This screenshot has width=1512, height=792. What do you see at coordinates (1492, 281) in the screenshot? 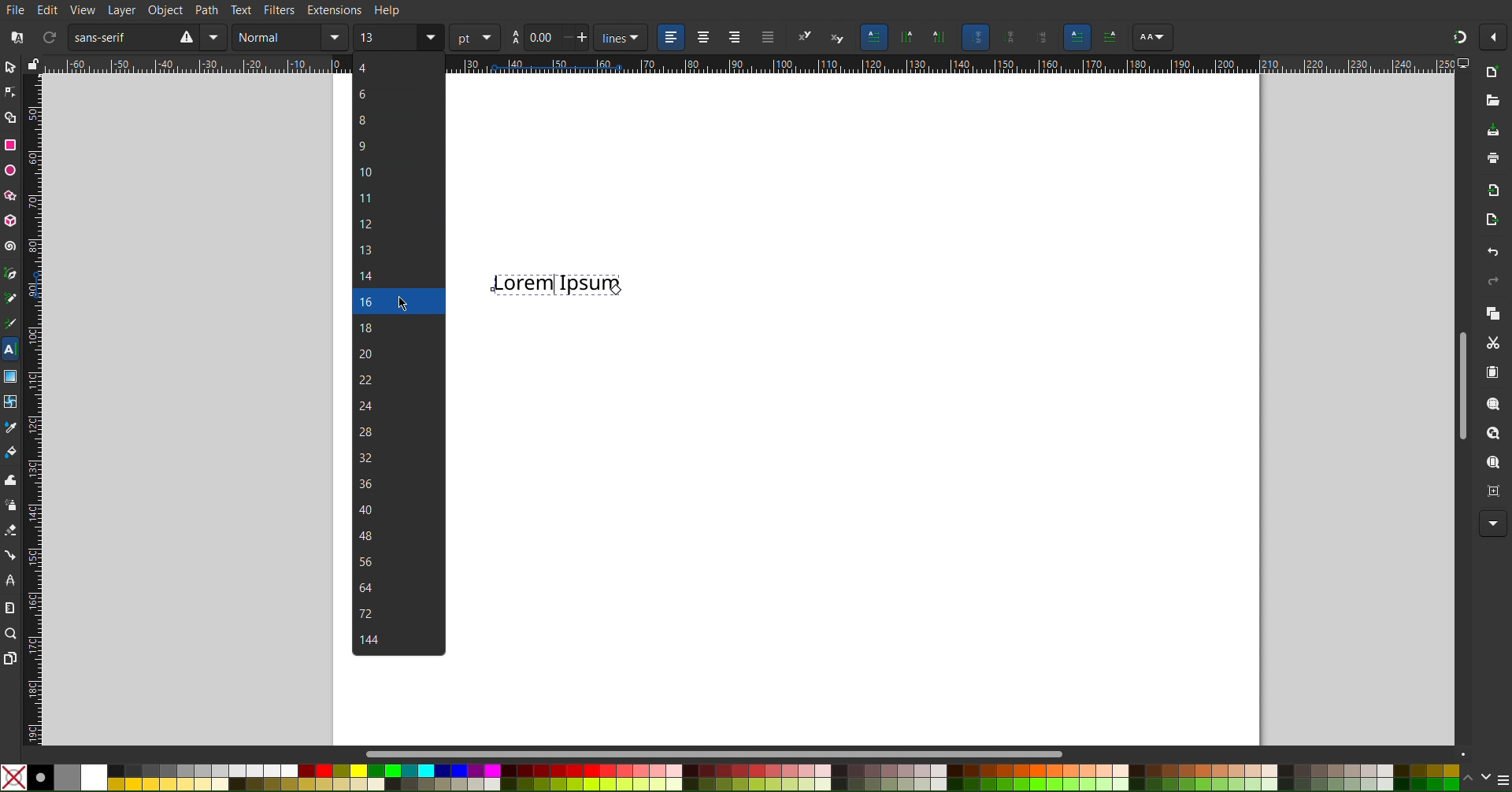
I see `Redo` at bounding box center [1492, 281].